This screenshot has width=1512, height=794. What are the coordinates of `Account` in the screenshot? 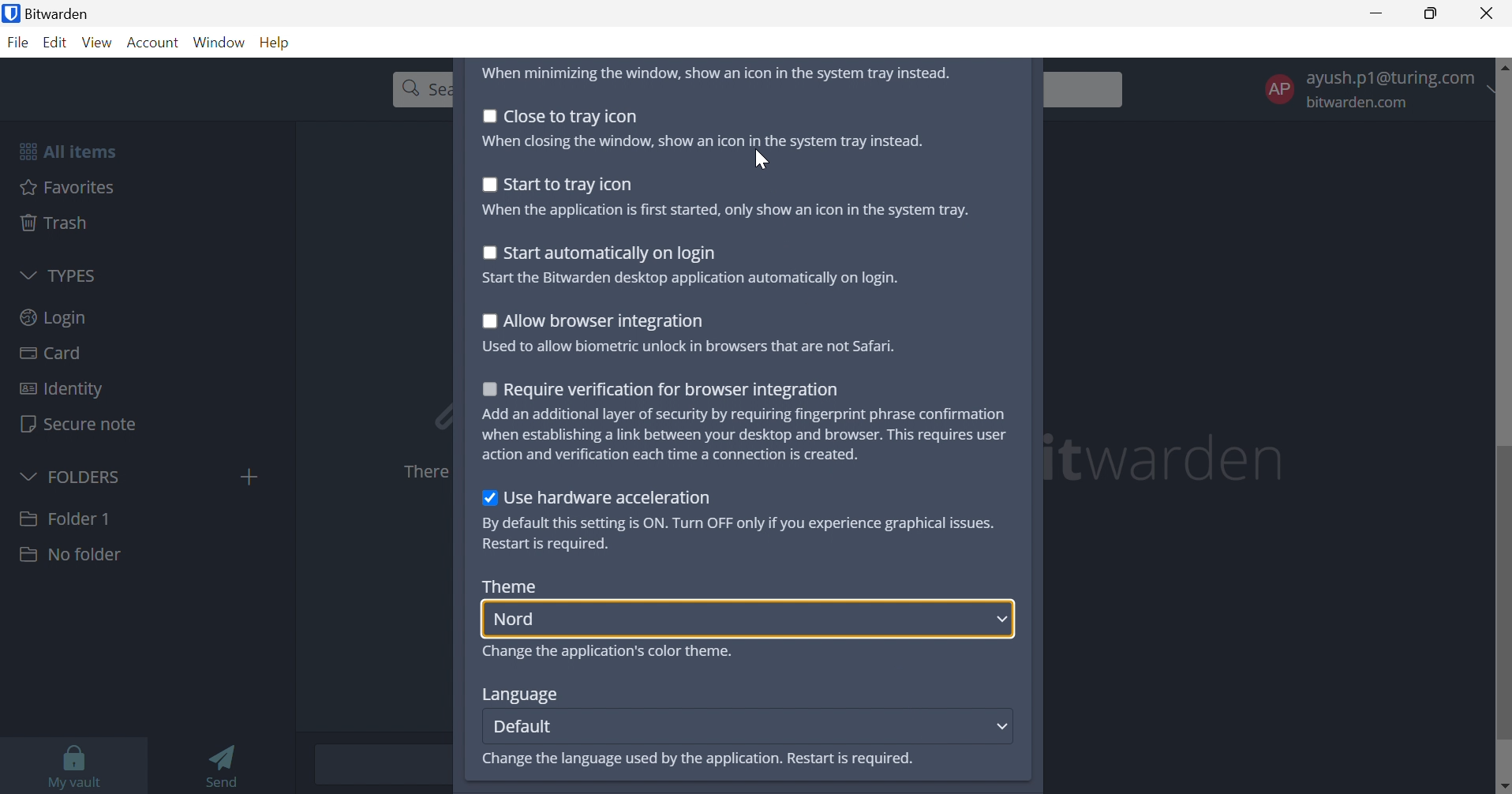 It's located at (155, 43).